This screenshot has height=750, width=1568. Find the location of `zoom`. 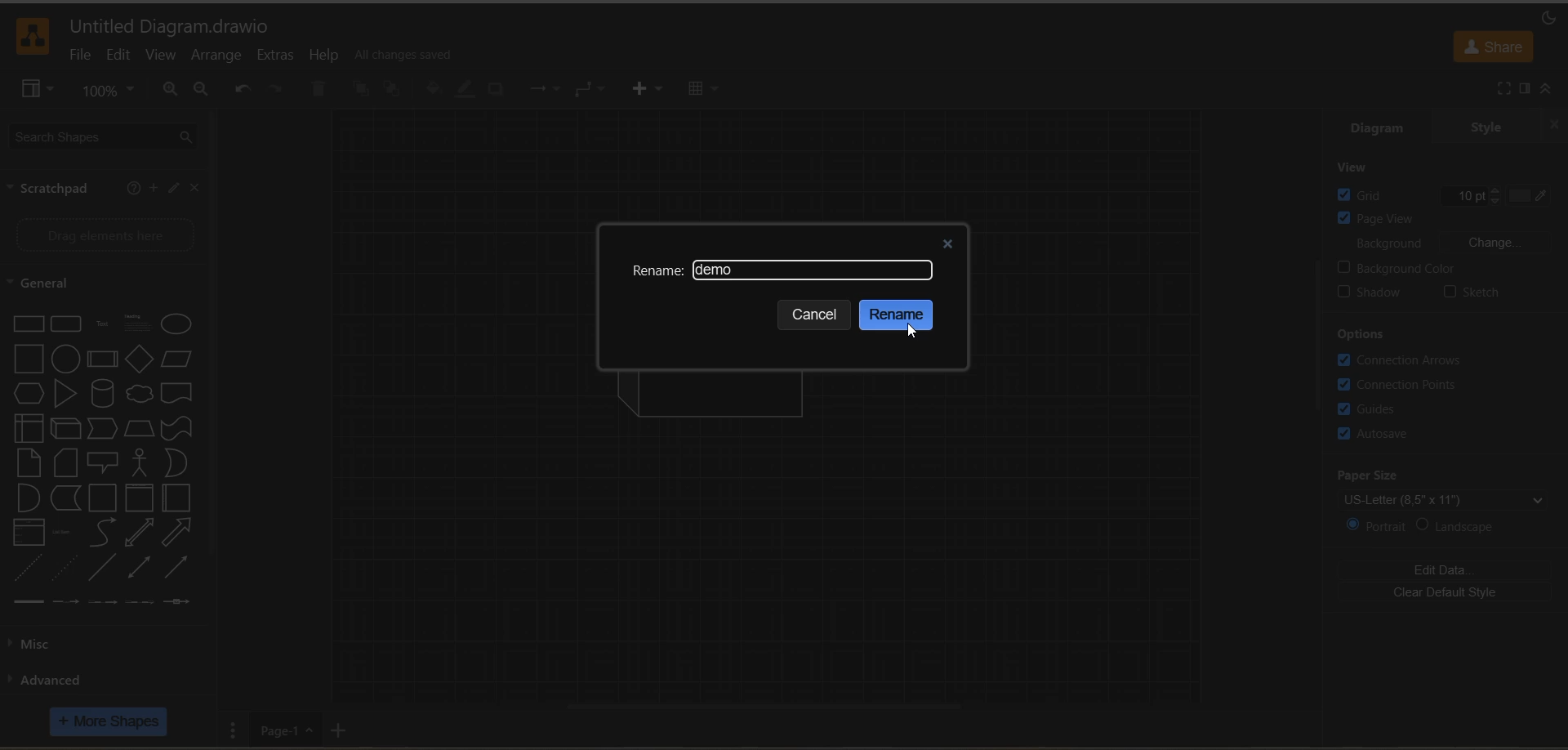

zoom is located at coordinates (109, 91).